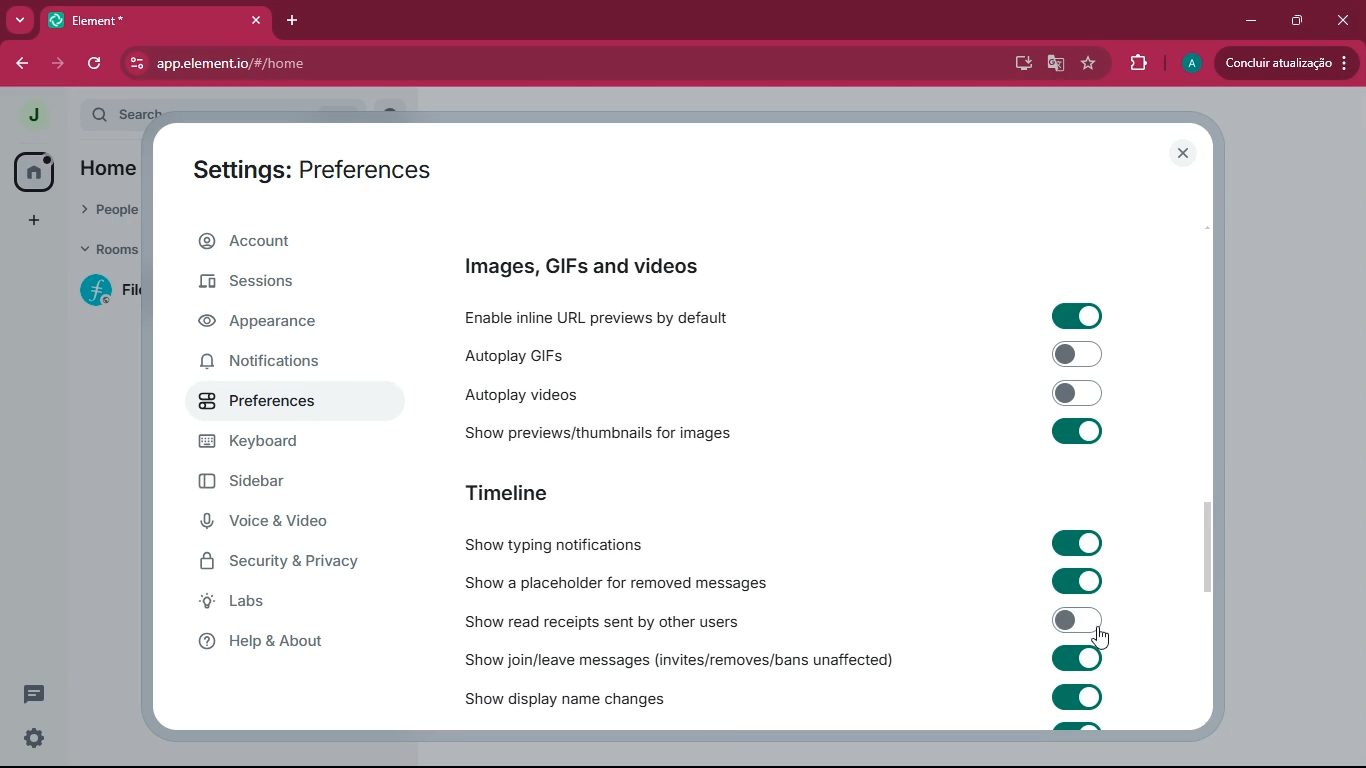 The width and height of the screenshot is (1366, 768). I want to click on profile picture, so click(33, 114).